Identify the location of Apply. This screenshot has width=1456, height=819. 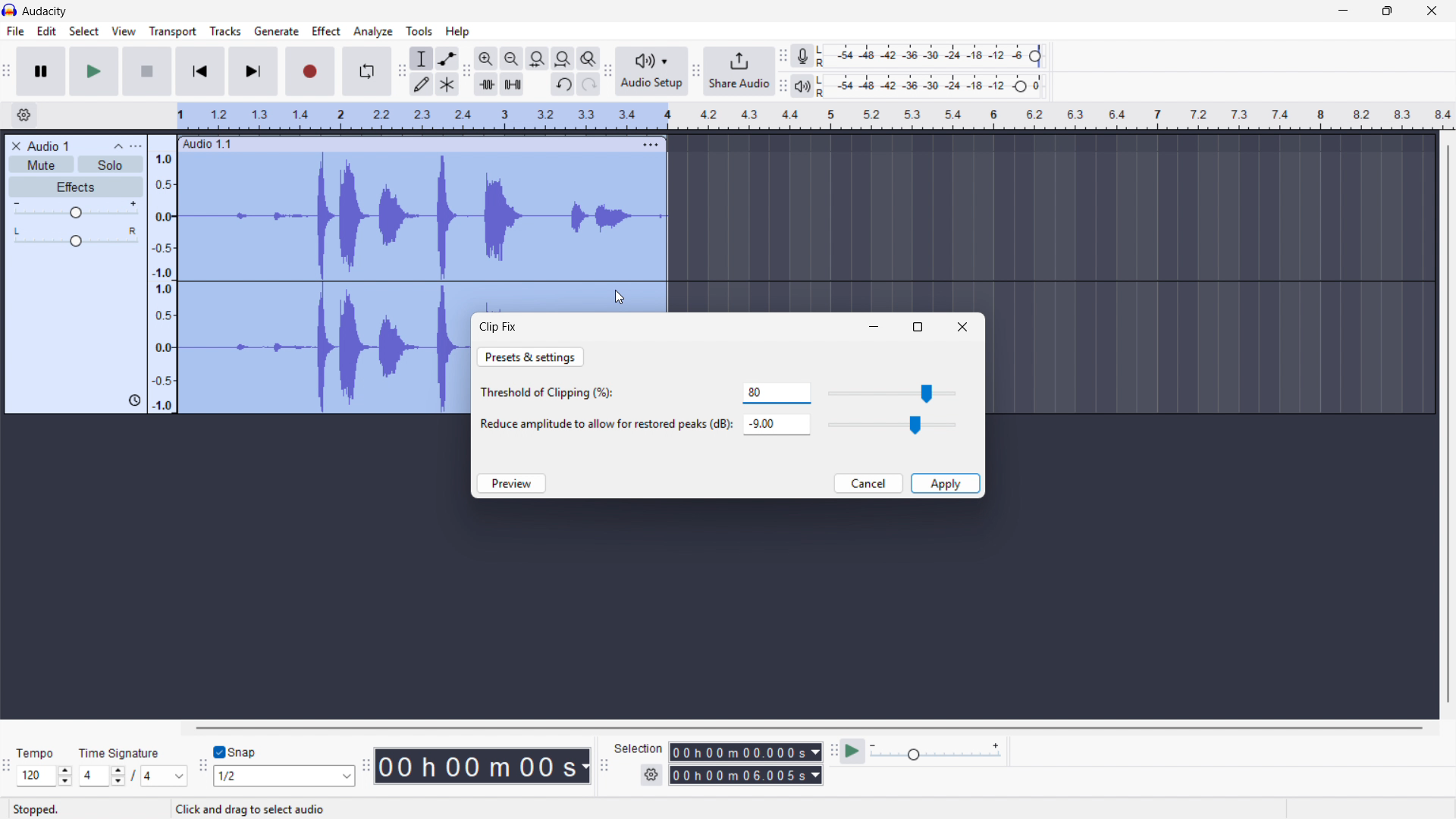
(946, 483).